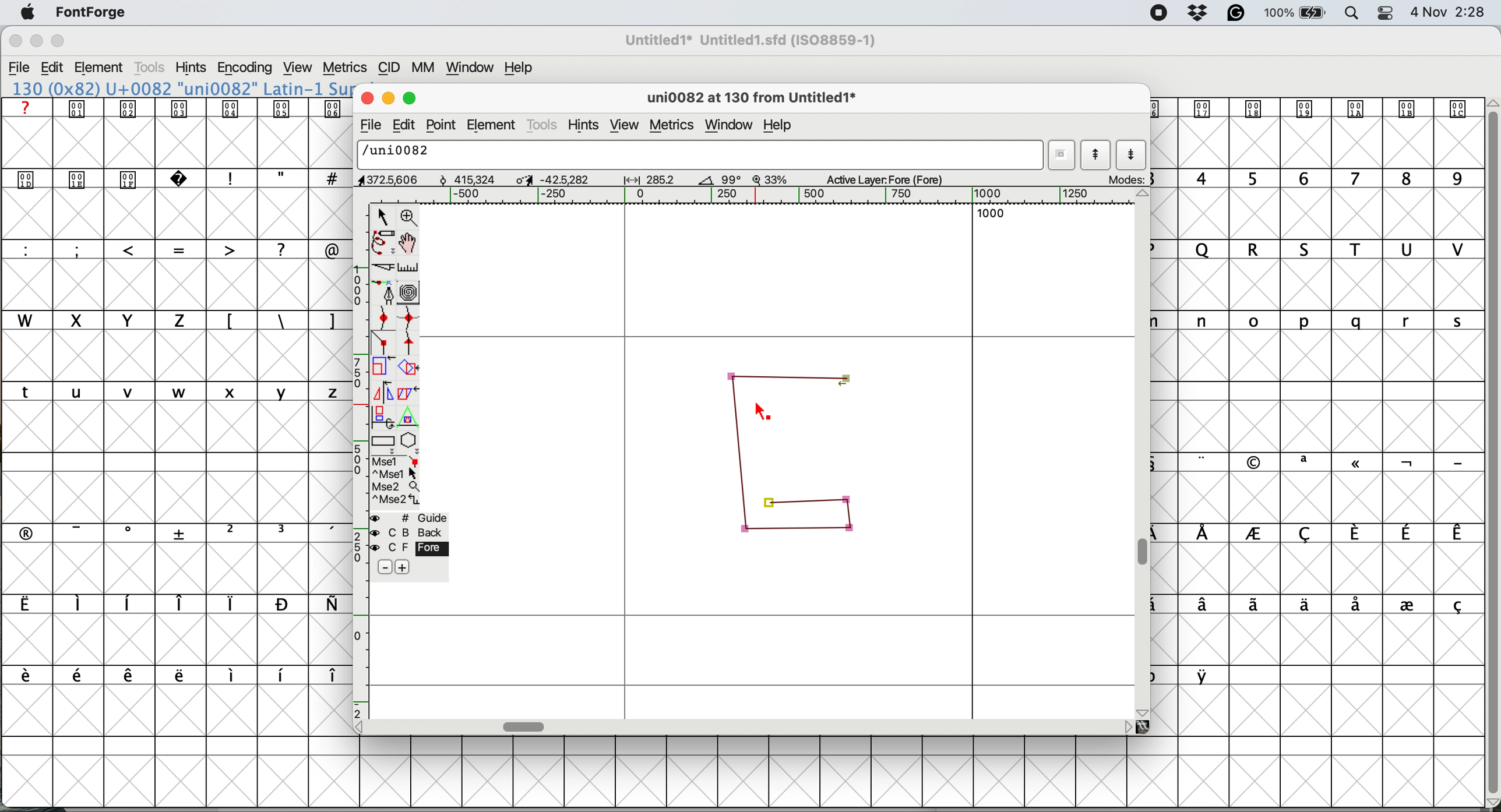  What do you see at coordinates (769, 196) in the screenshot?
I see `horizontal scale` at bounding box center [769, 196].